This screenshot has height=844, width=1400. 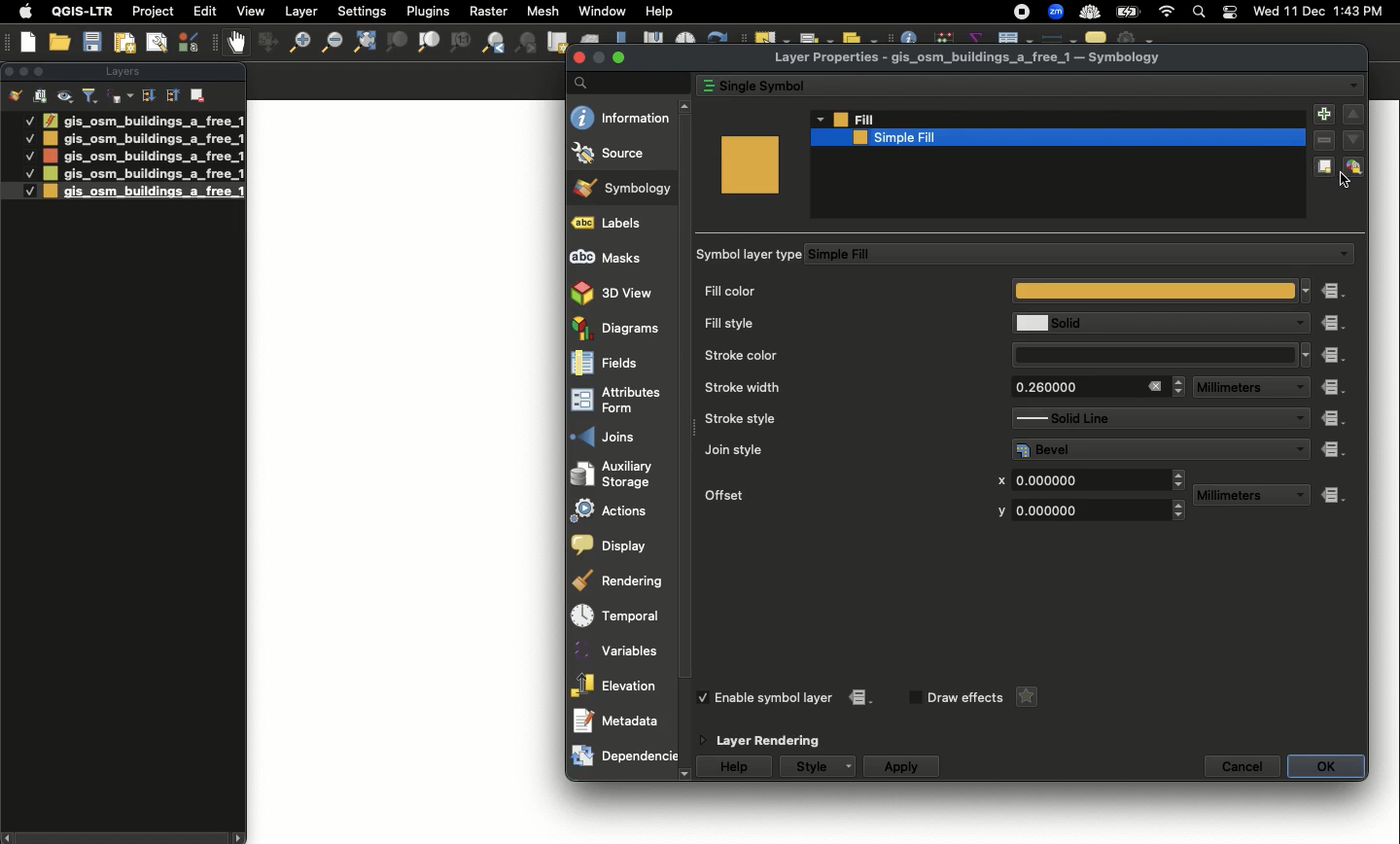 What do you see at coordinates (1147, 449) in the screenshot?
I see `Bevel` at bounding box center [1147, 449].